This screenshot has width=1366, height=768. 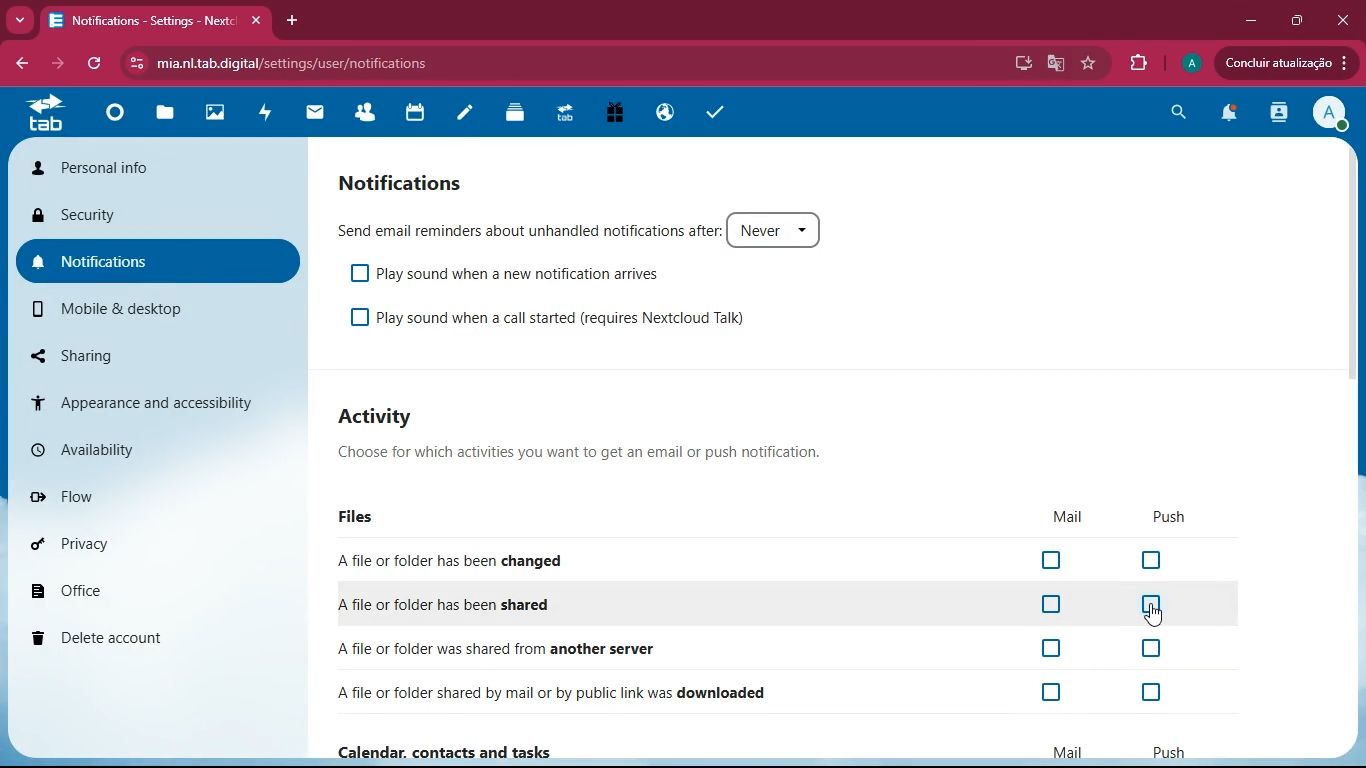 I want to click on tab, so click(x=160, y=21).